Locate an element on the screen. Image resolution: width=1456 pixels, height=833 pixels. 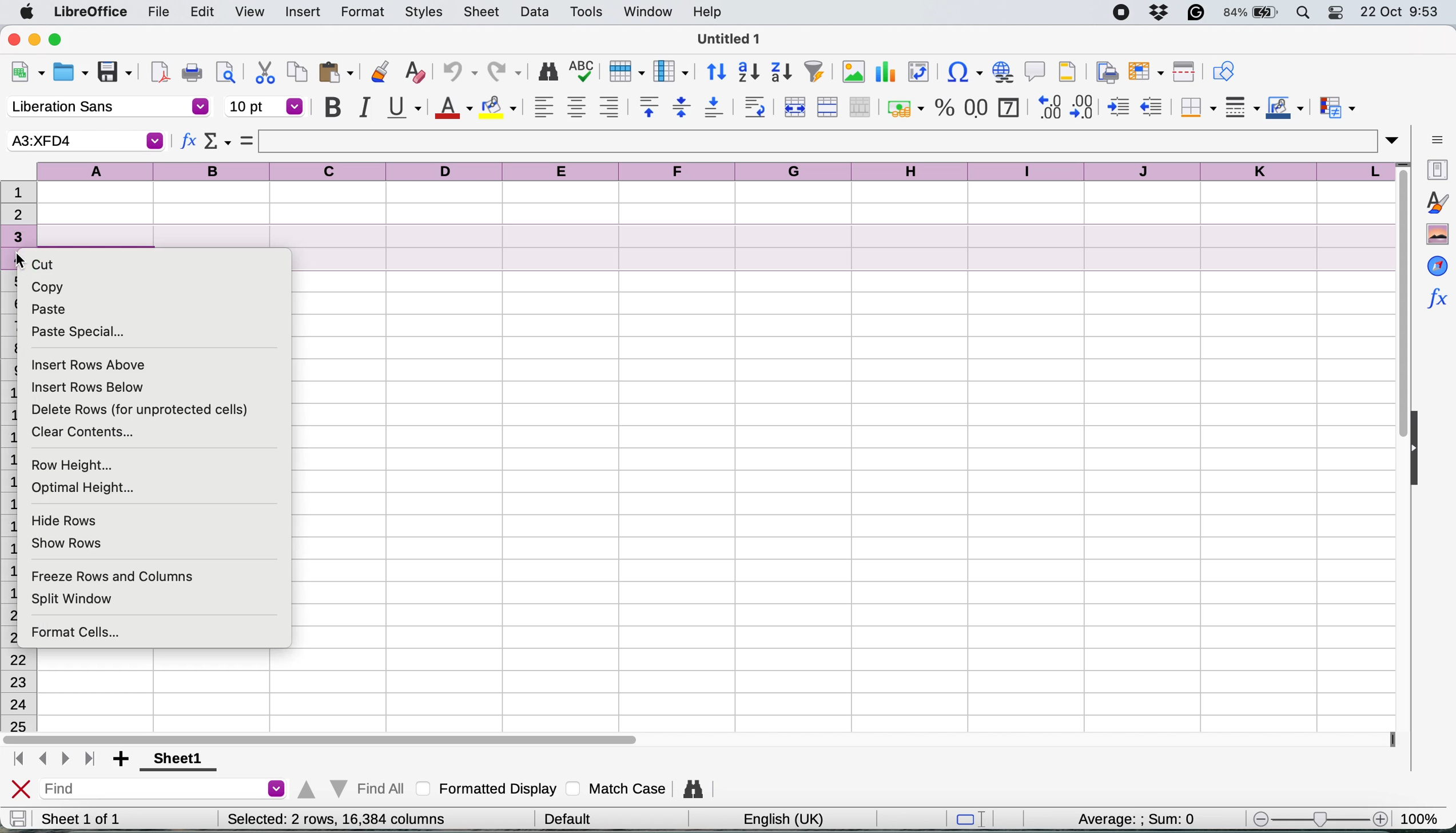
sort is located at coordinates (717, 70).